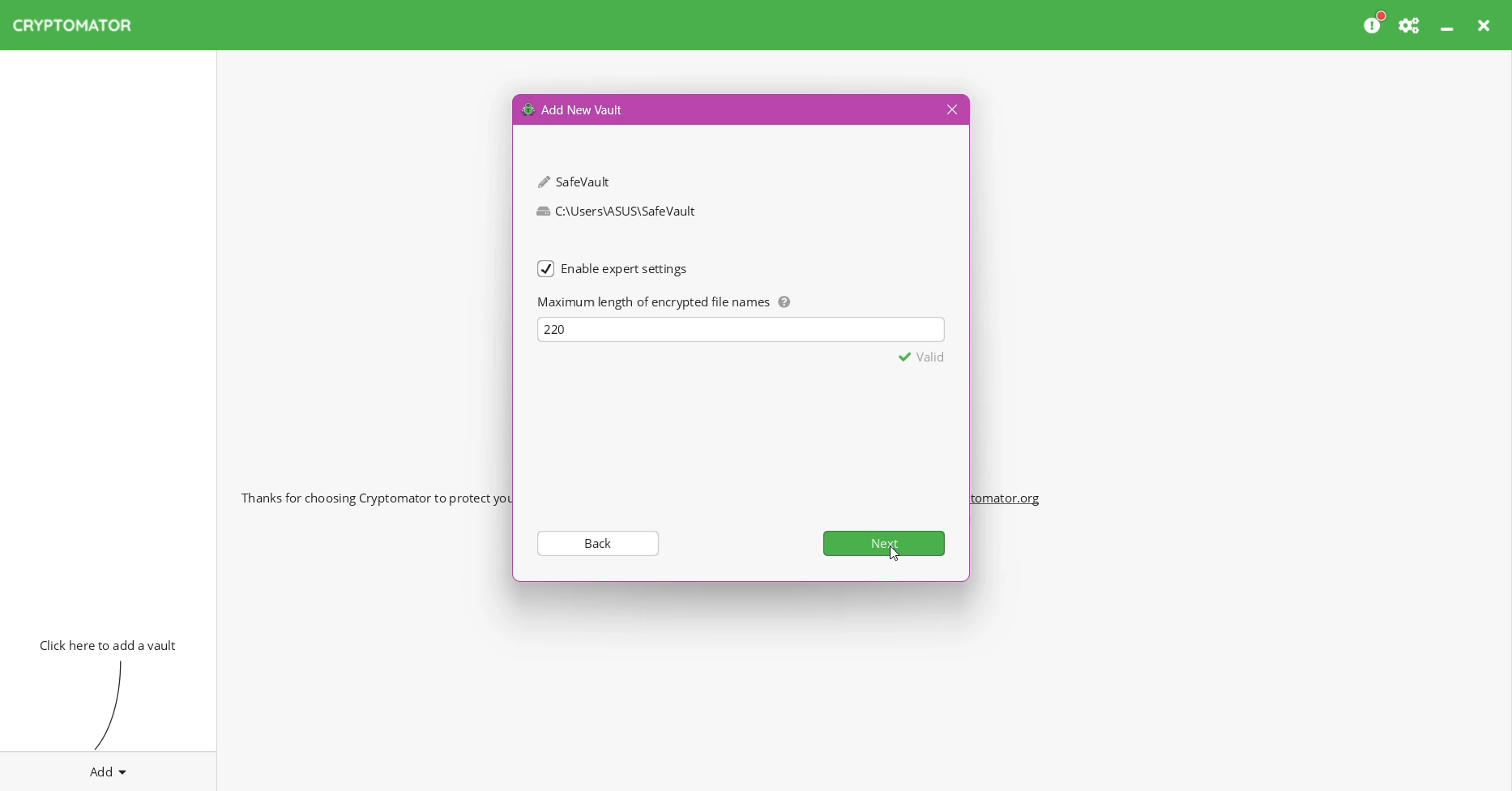 The image size is (1512, 791). What do you see at coordinates (80, 25) in the screenshot?
I see `CRYPTOMATOR Application Name` at bounding box center [80, 25].